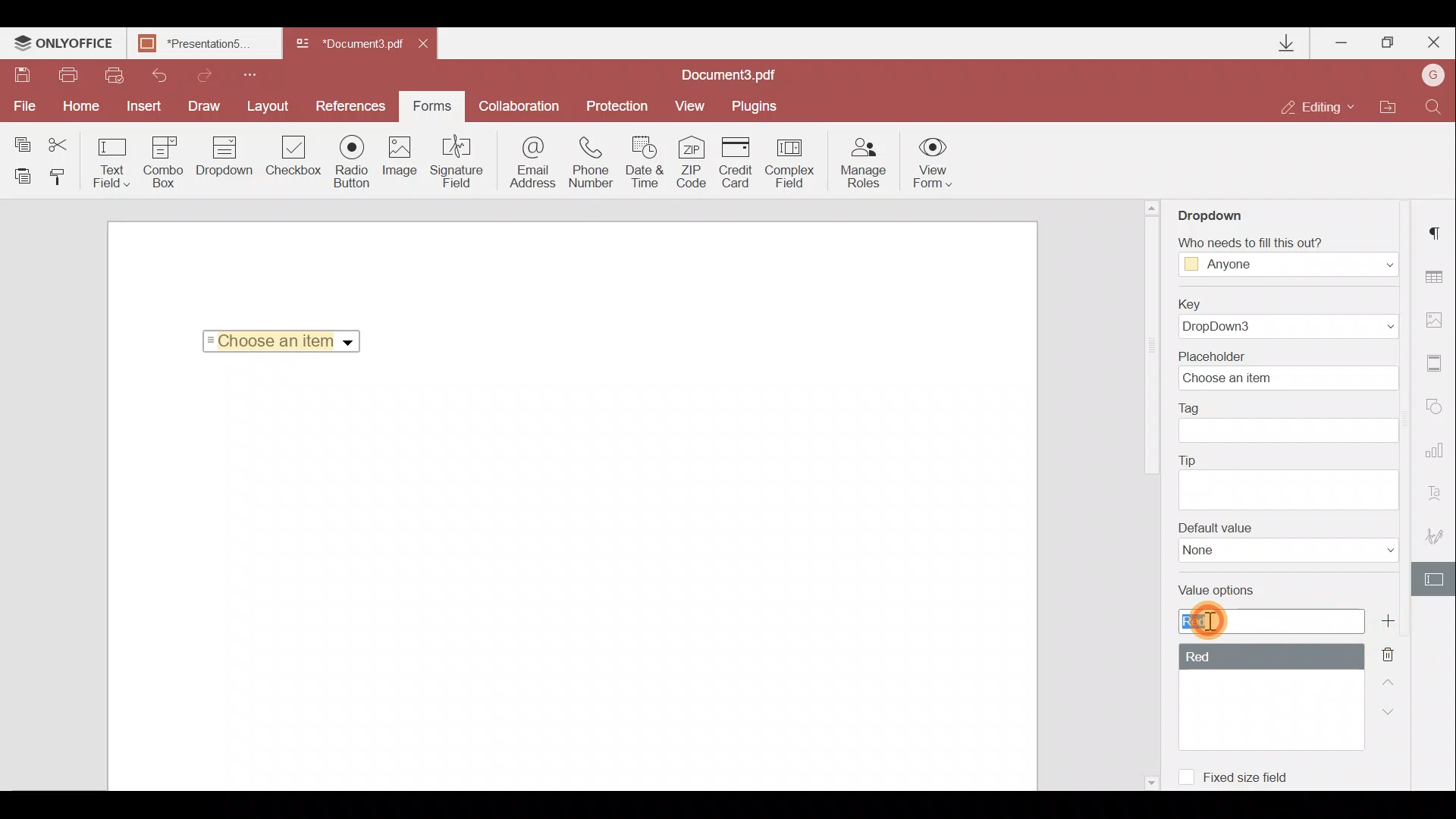 This screenshot has height=819, width=1456. I want to click on Signature settings, so click(1433, 531).